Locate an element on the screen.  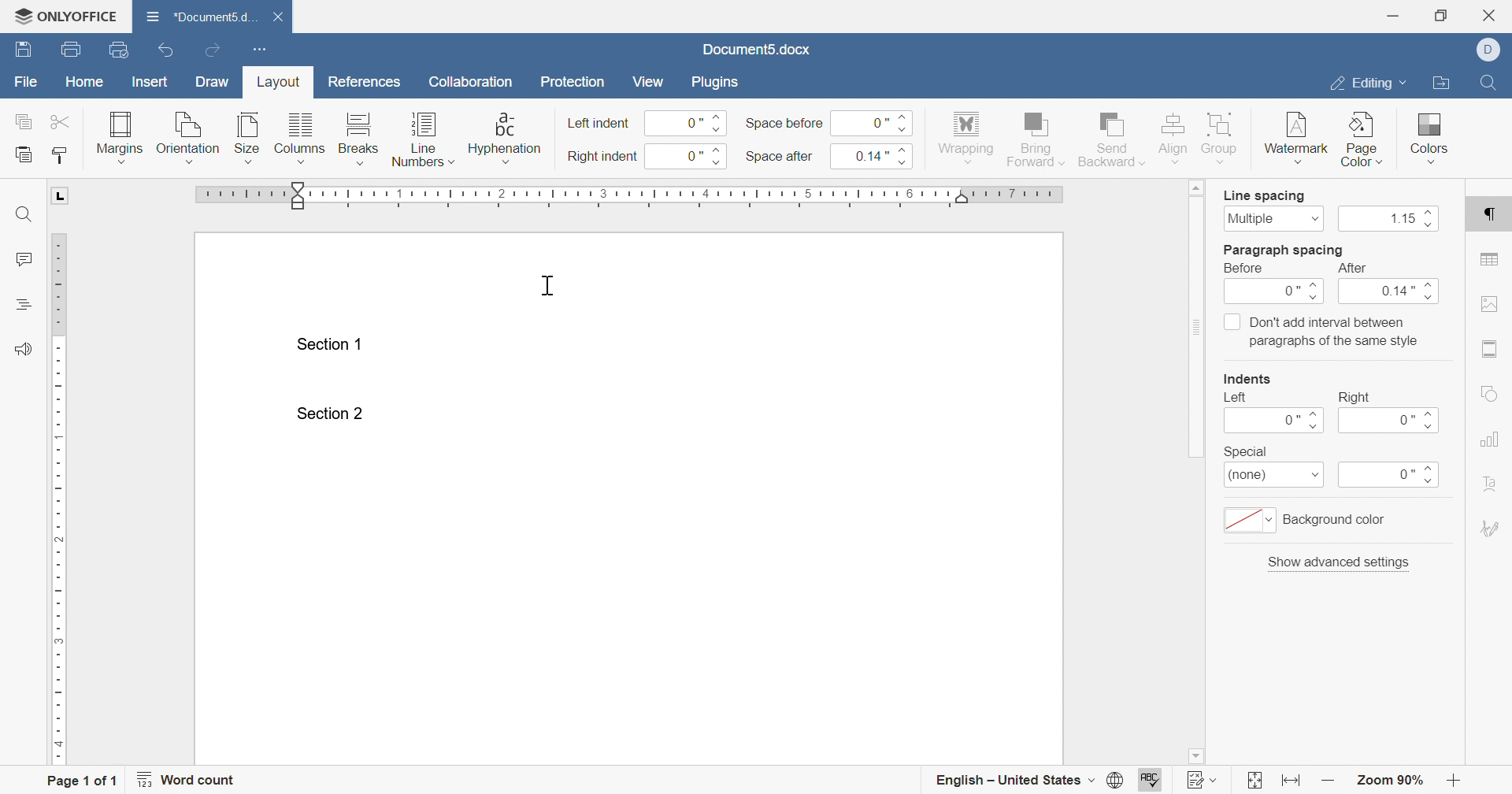
document5.docx is located at coordinates (755, 50).